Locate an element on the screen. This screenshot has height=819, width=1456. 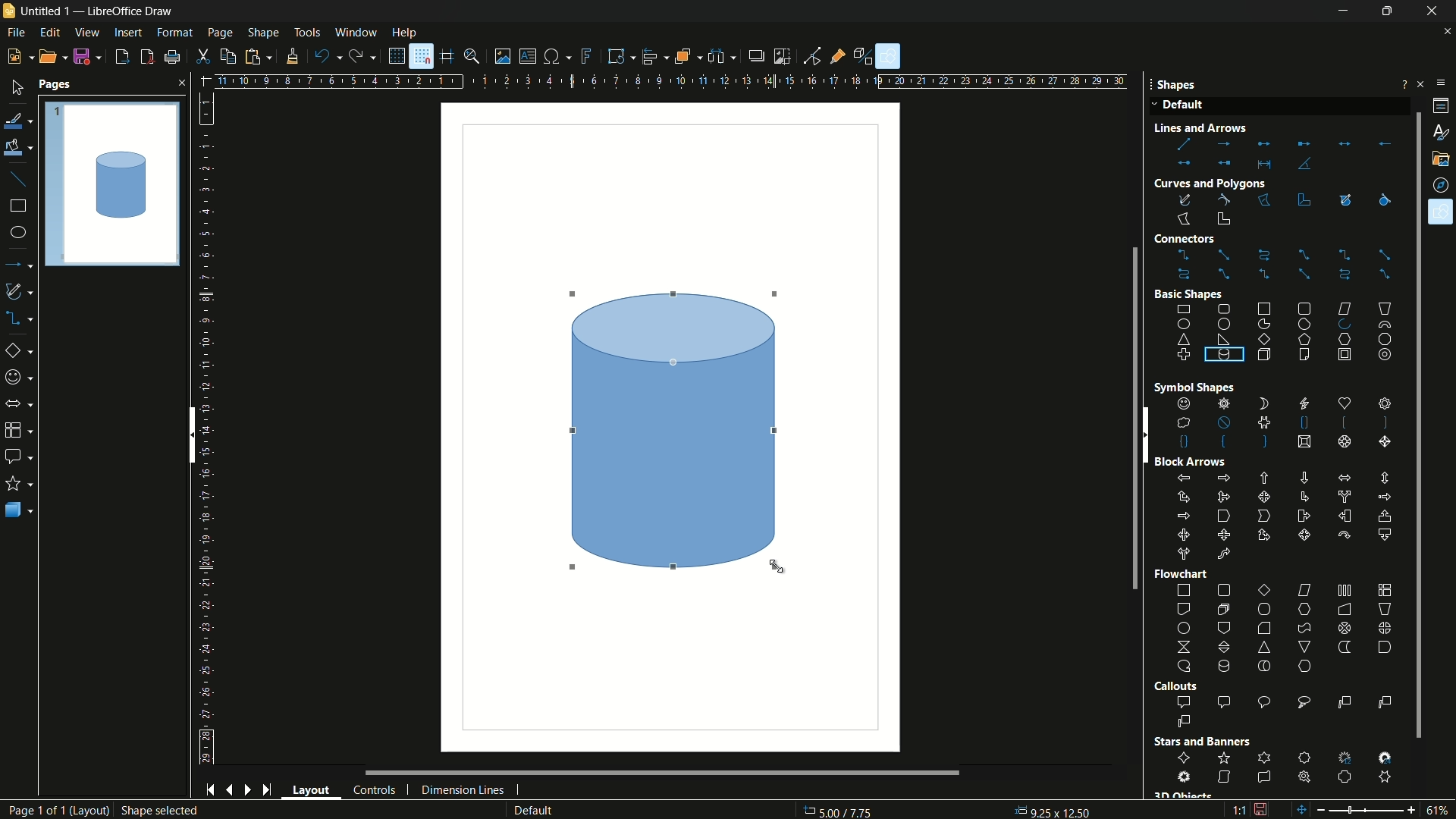
close is located at coordinates (178, 83).